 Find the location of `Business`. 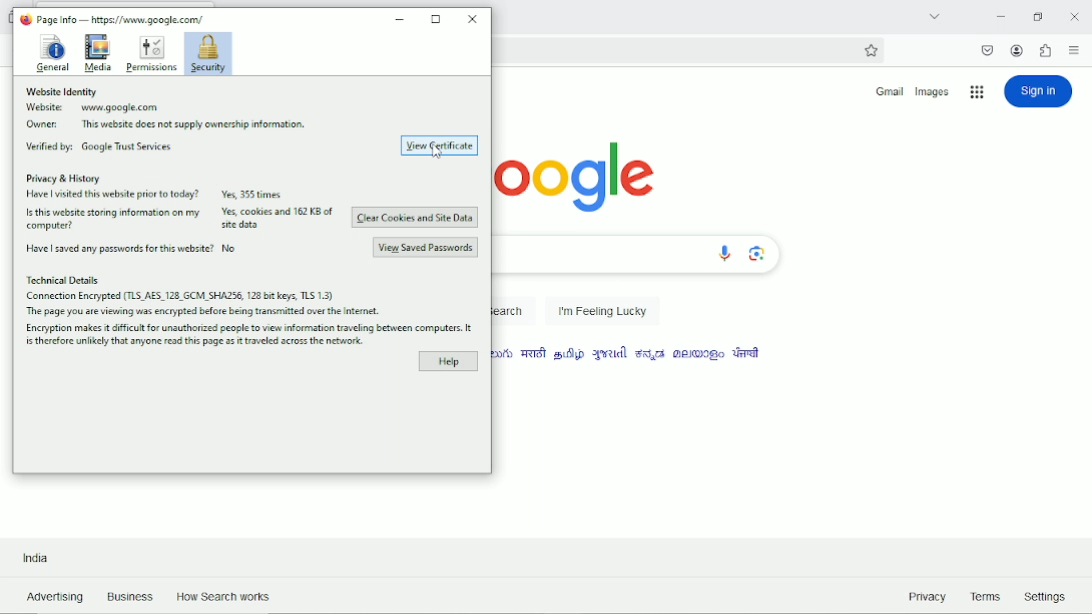

Business is located at coordinates (130, 595).